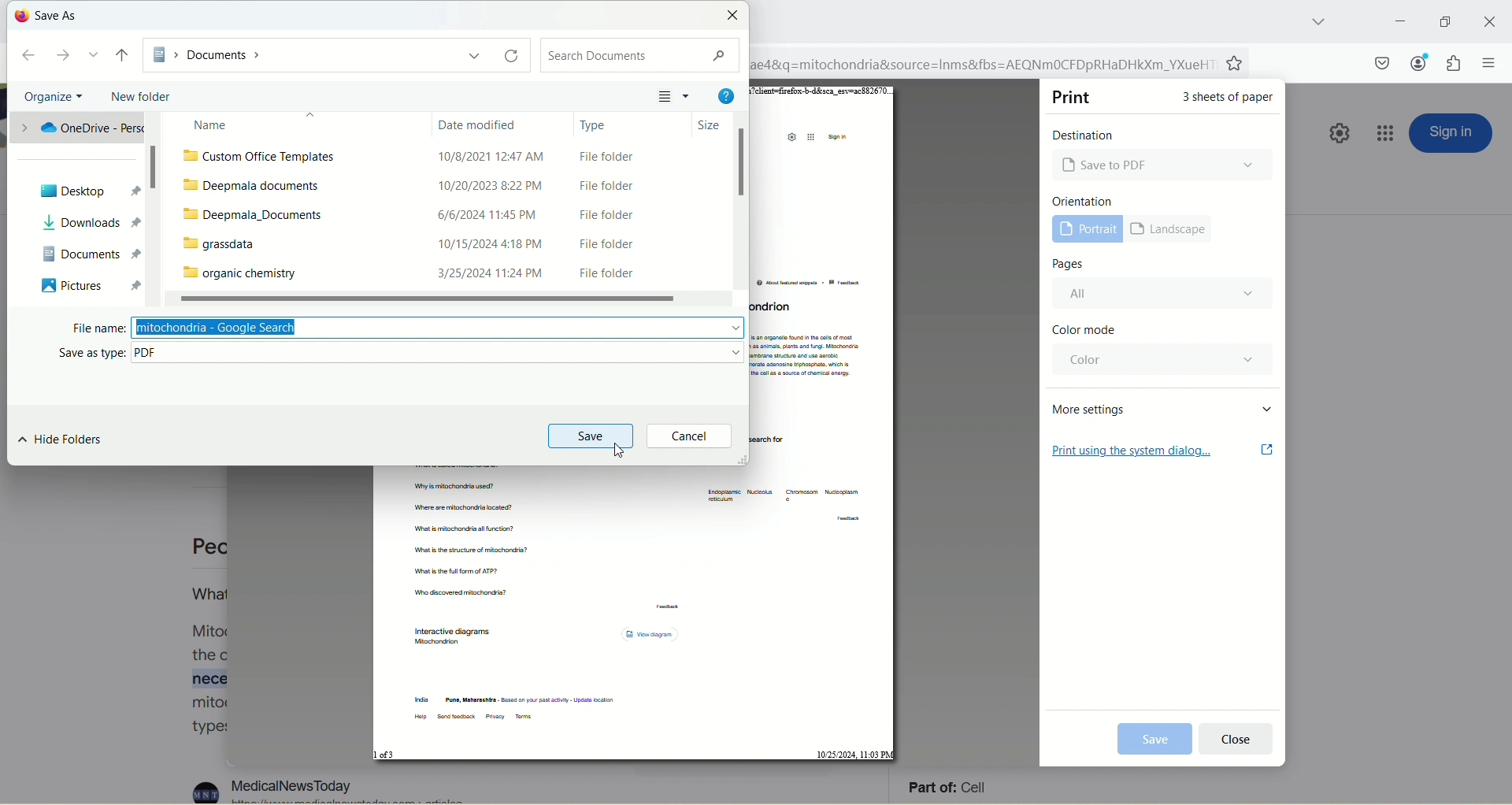 This screenshot has width=1512, height=805. I want to click on maximize, so click(1443, 22).